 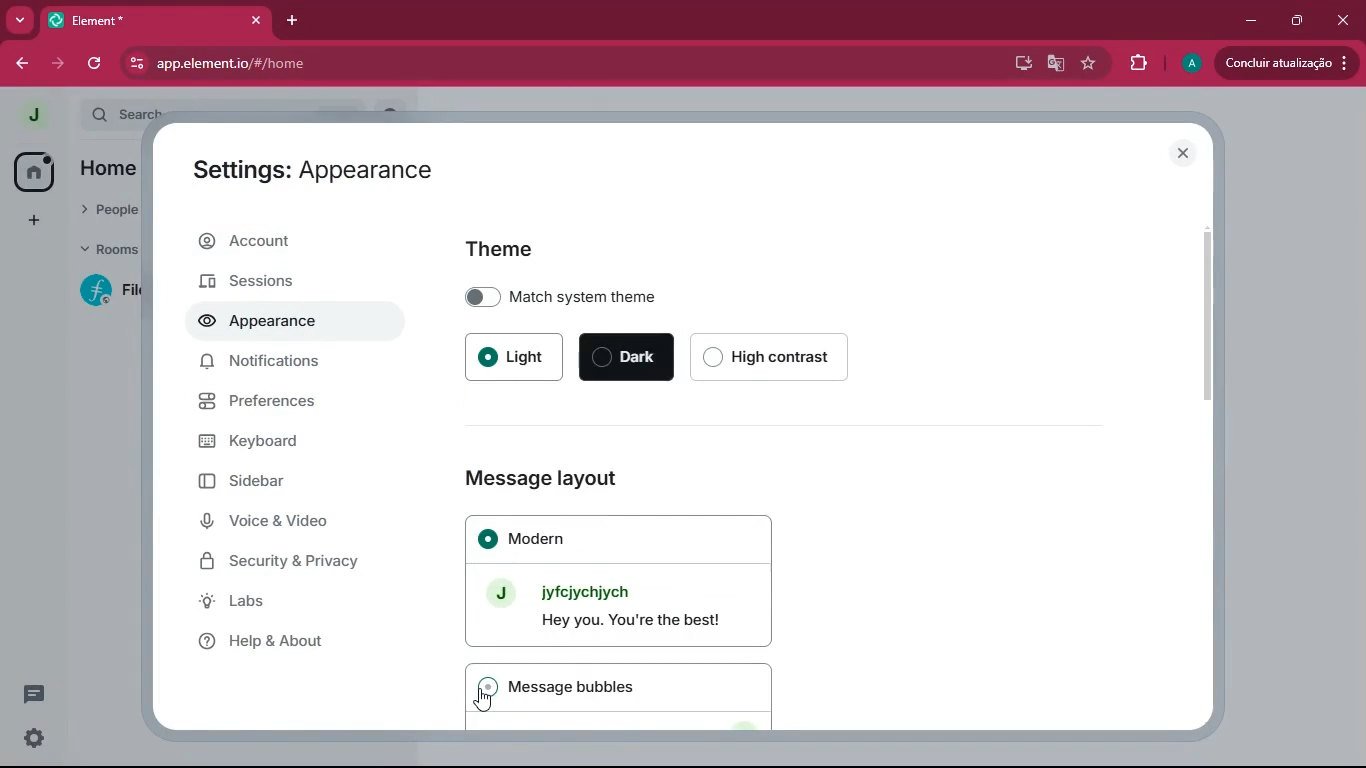 What do you see at coordinates (272, 437) in the screenshot?
I see `Keyboard` at bounding box center [272, 437].